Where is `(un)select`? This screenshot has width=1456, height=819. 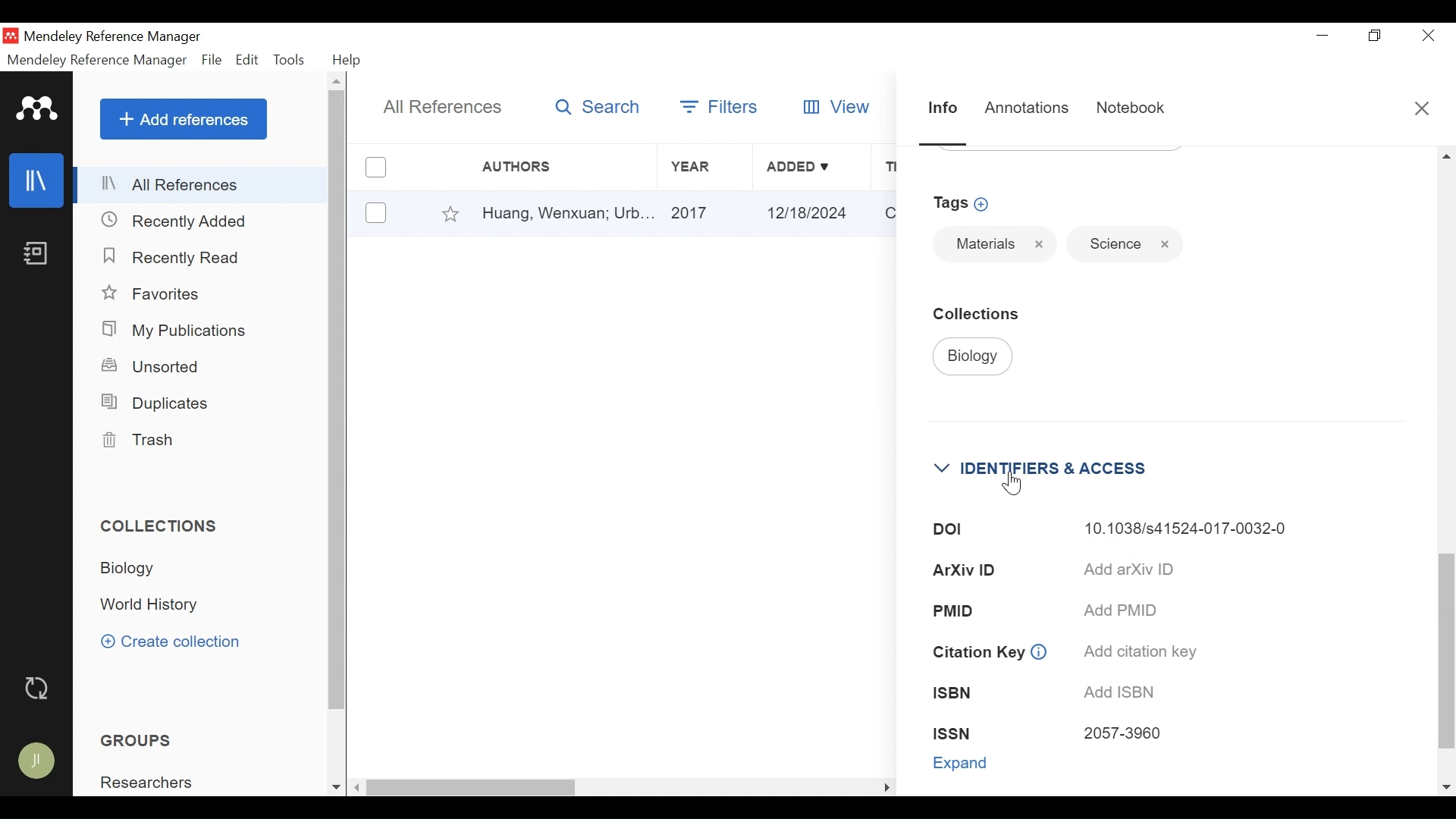
(un)select is located at coordinates (375, 212).